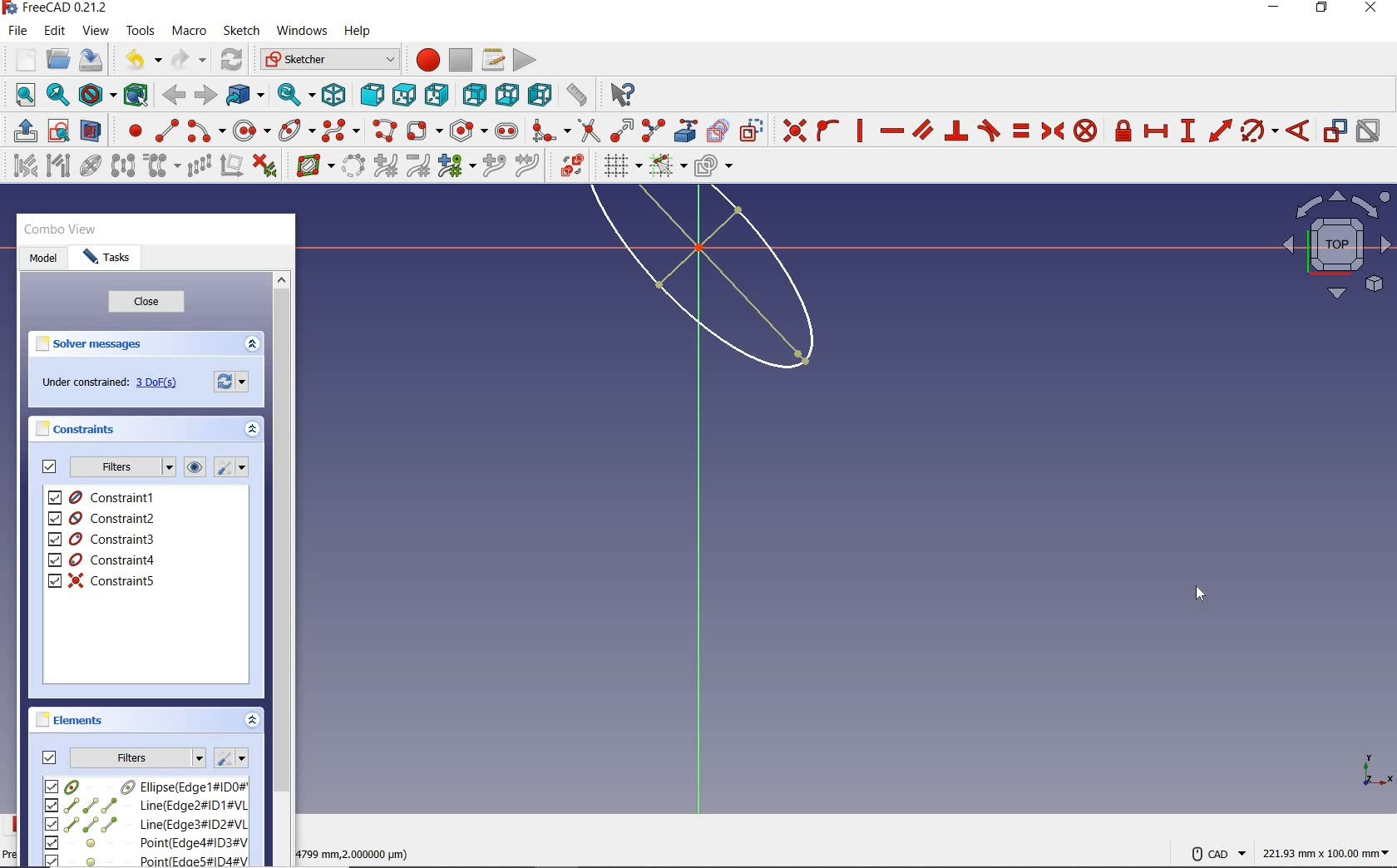 Image resolution: width=1397 pixels, height=868 pixels. What do you see at coordinates (1214, 851) in the screenshot?
I see `CAD Navigation Style` at bounding box center [1214, 851].